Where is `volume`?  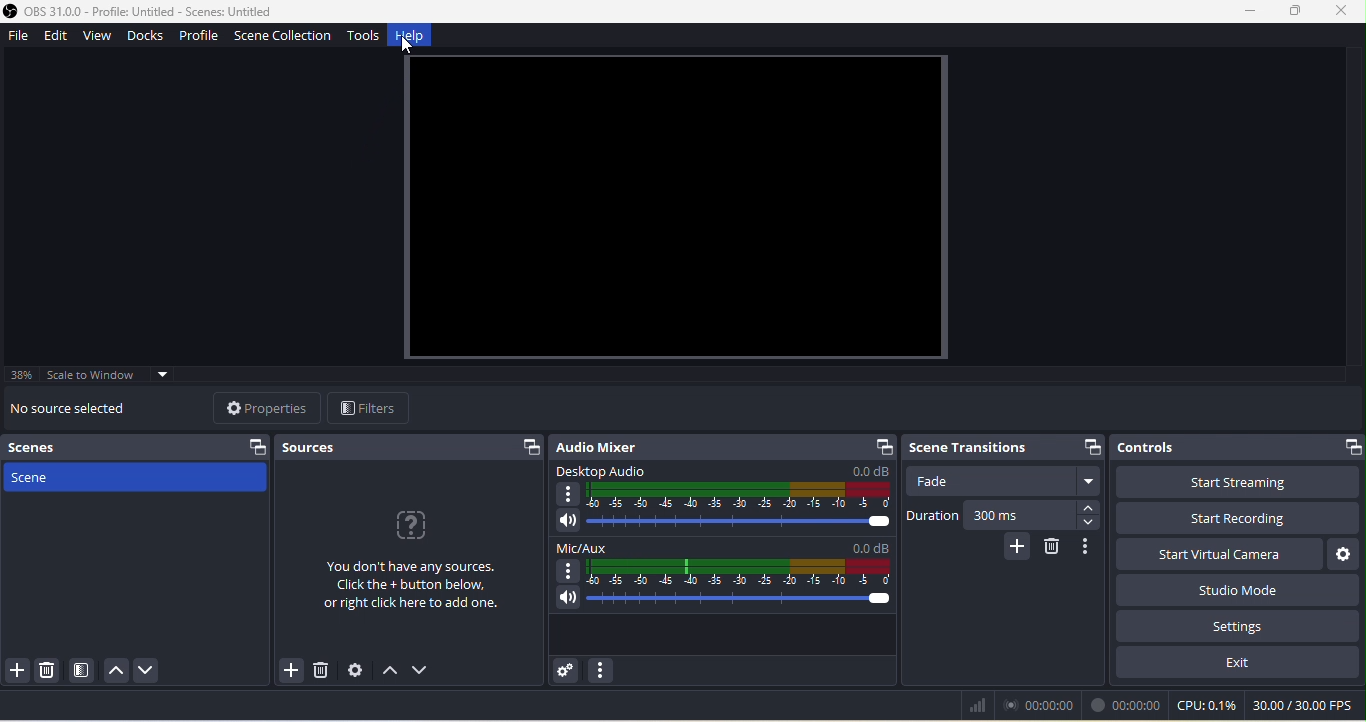
volume is located at coordinates (719, 524).